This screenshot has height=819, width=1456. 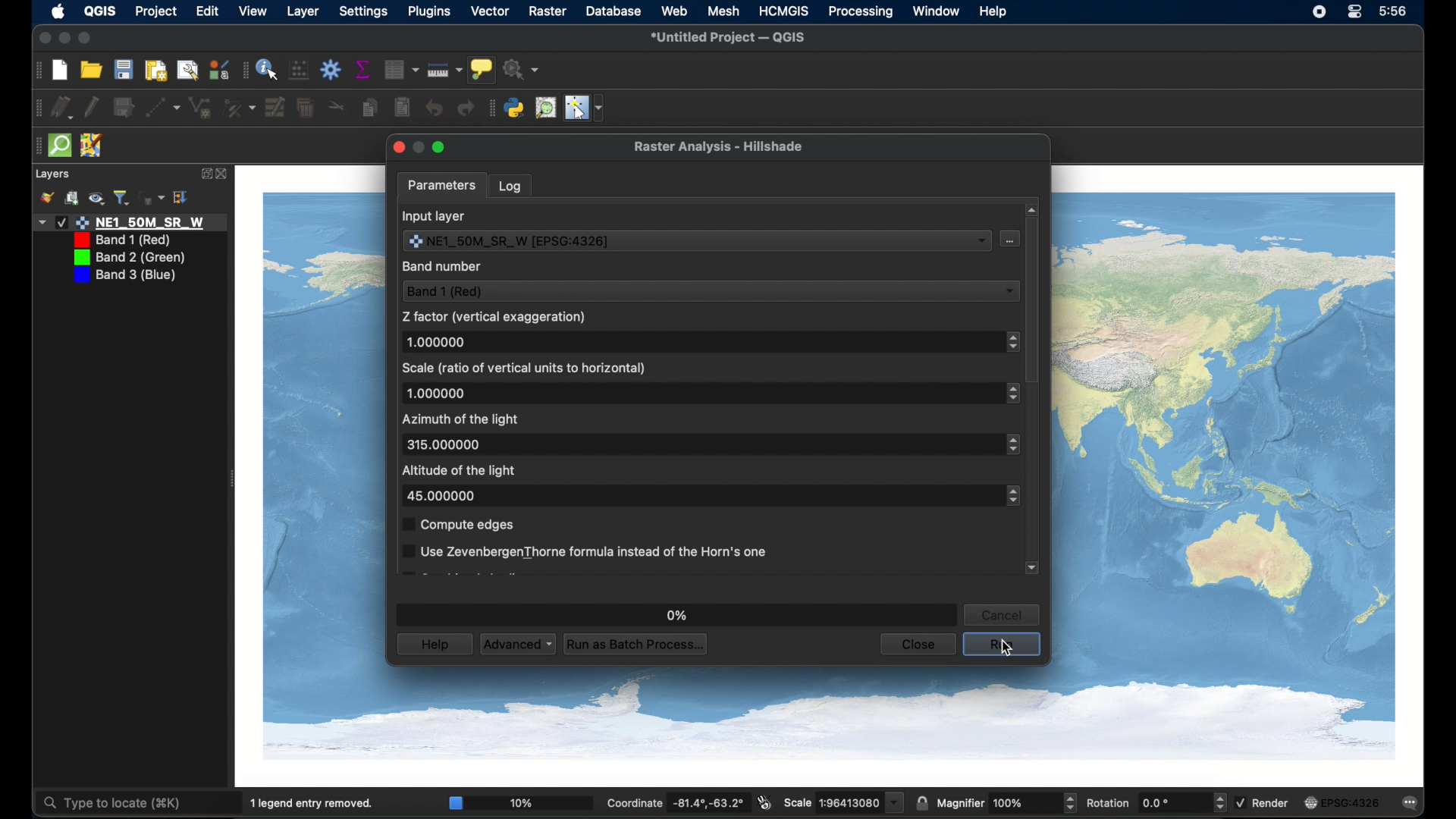 What do you see at coordinates (306, 106) in the screenshot?
I see `delete selected` at bounding box center [306, 106].